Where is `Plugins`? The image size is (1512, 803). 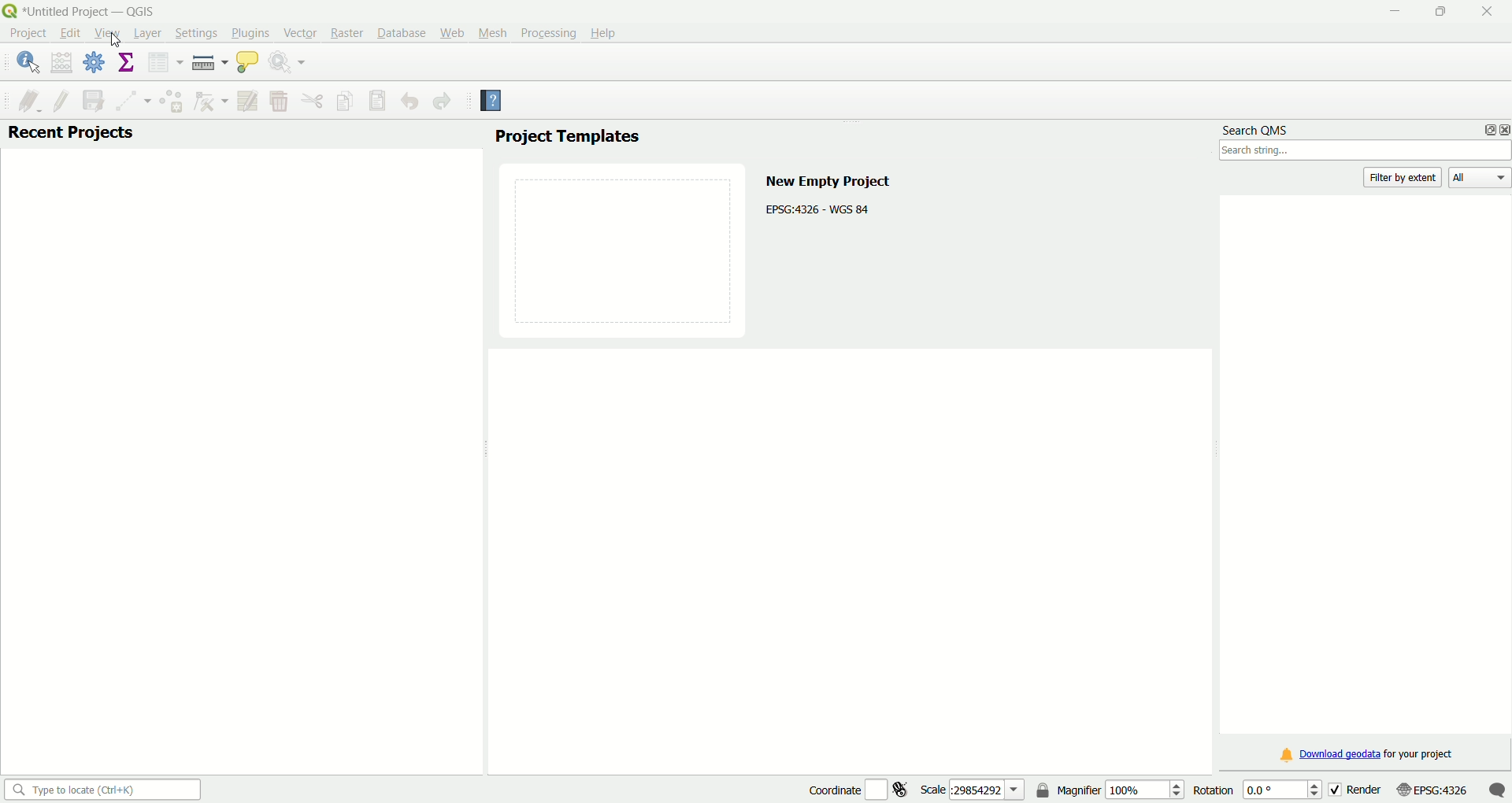
Plugins is located at coordinates (250, 32).